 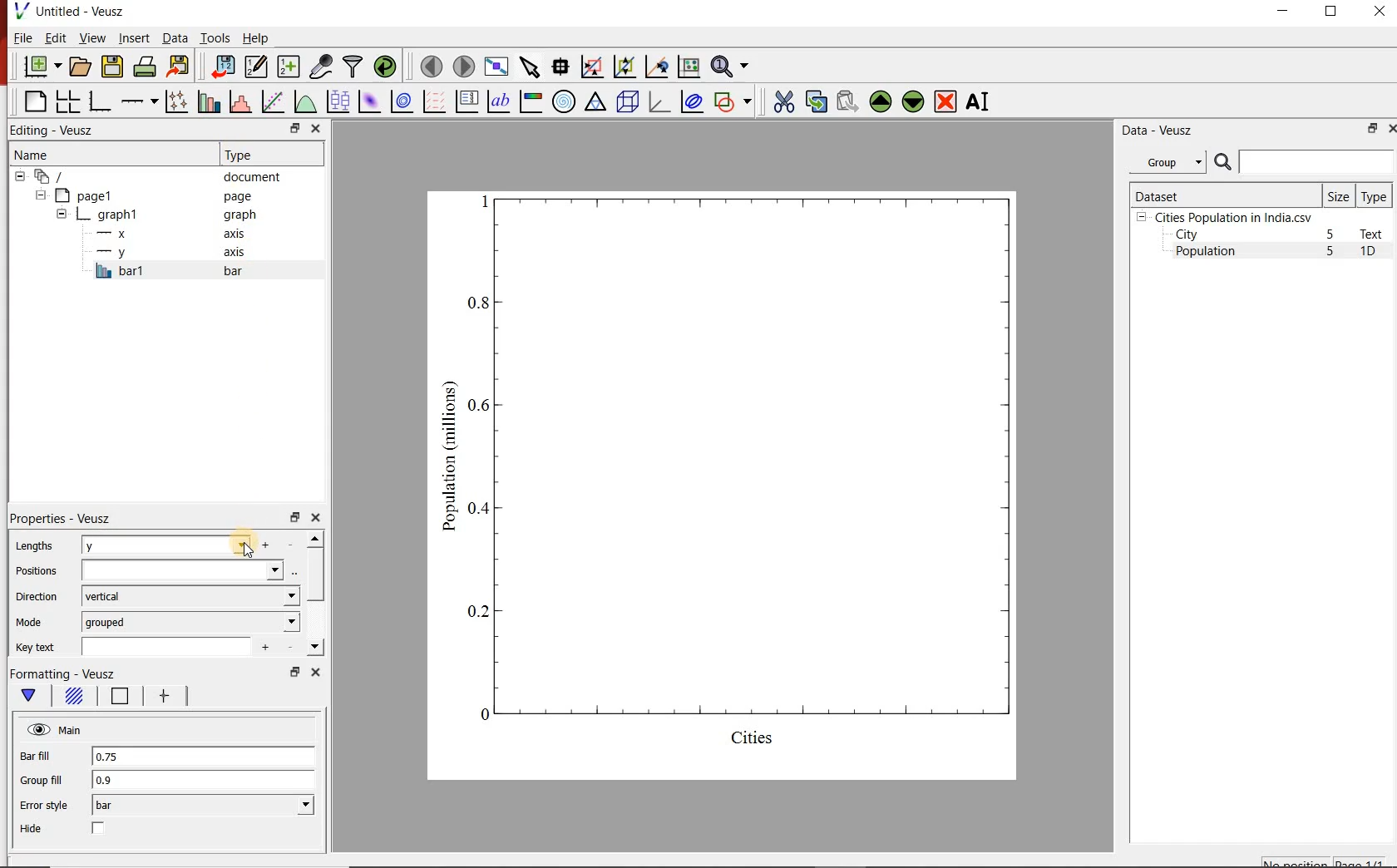 What do you see at coordinates (1373, 128) in the screenshot?
I see `restore` at bounding box center [1373, 128].